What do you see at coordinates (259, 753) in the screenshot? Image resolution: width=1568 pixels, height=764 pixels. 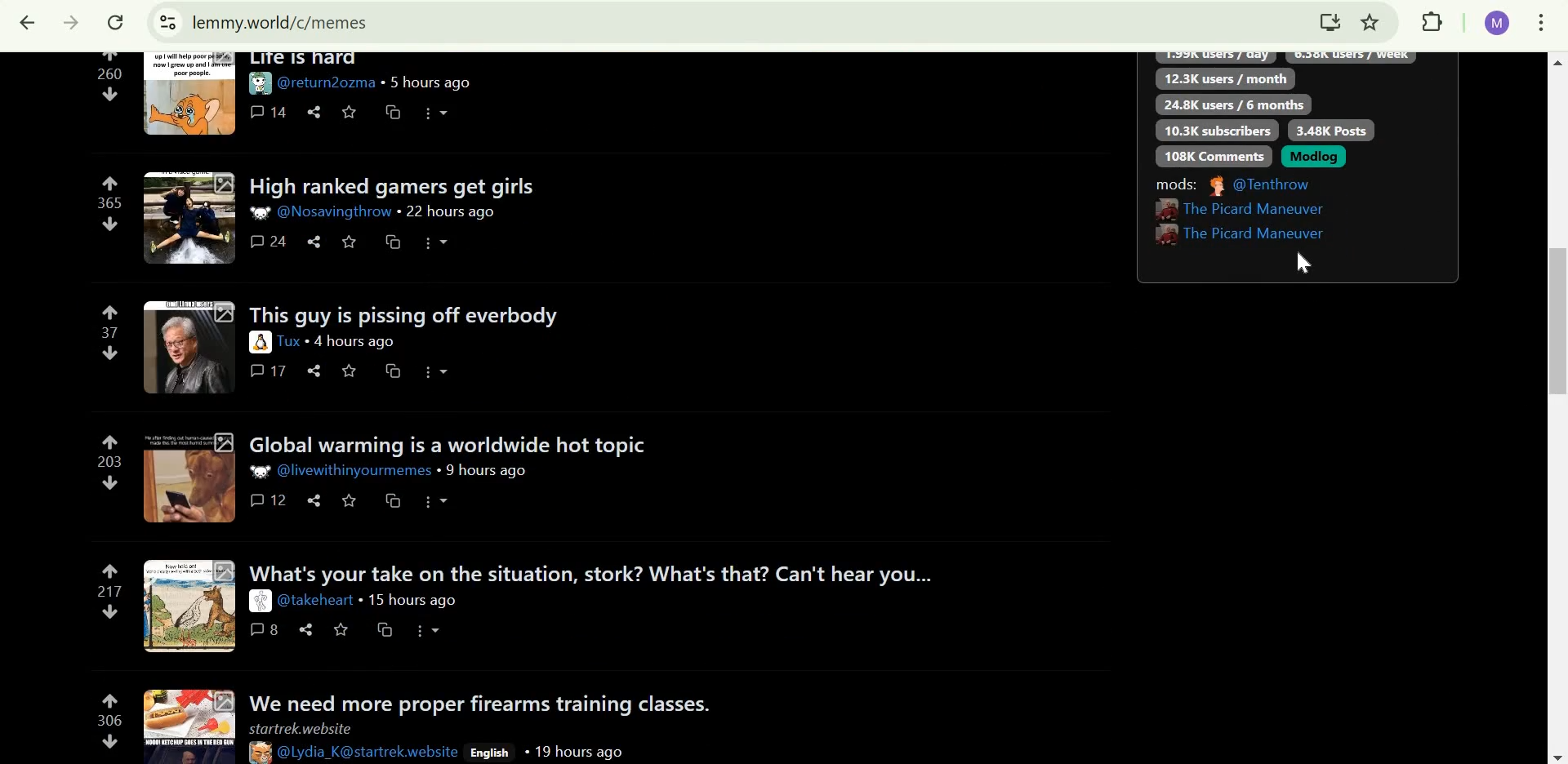 I see `picture` at bounding box center [259, 753].